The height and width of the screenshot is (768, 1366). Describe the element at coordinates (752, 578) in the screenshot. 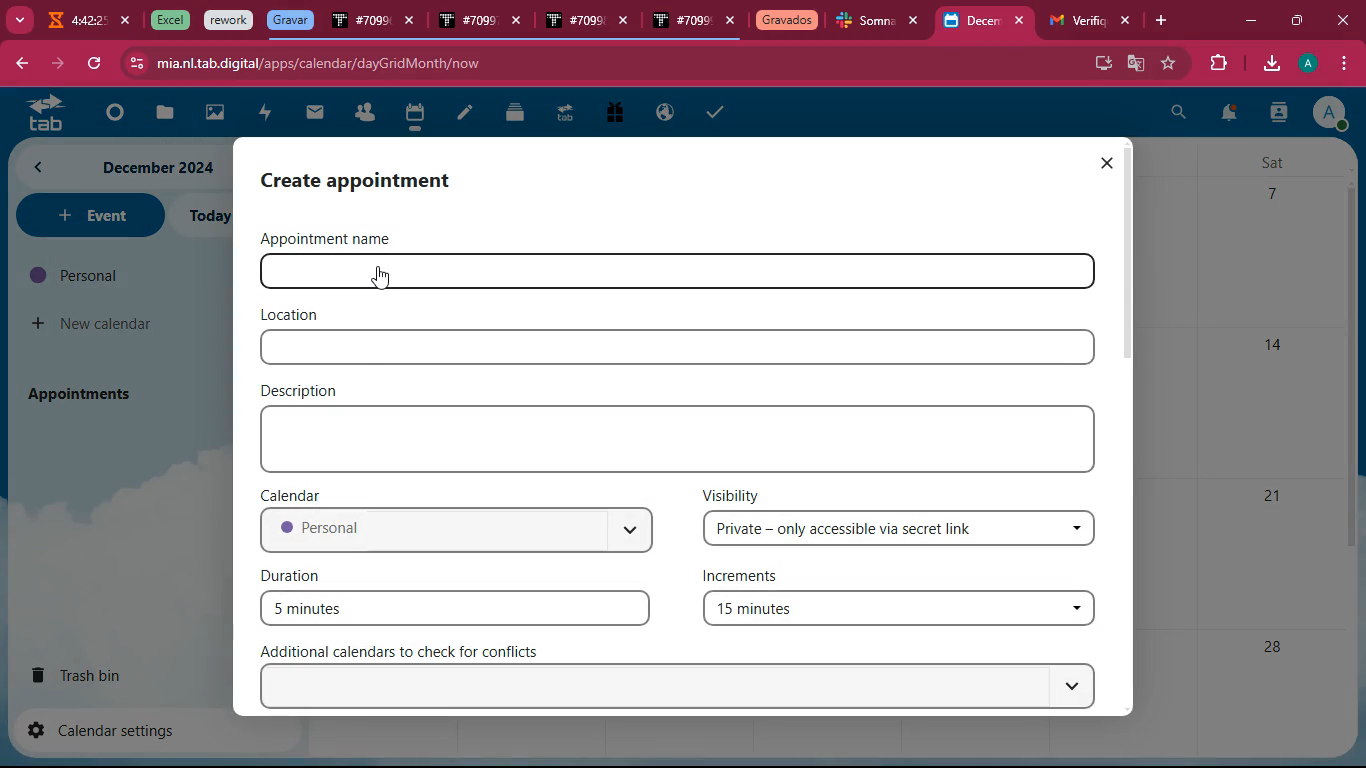

I see `increments` at that location.